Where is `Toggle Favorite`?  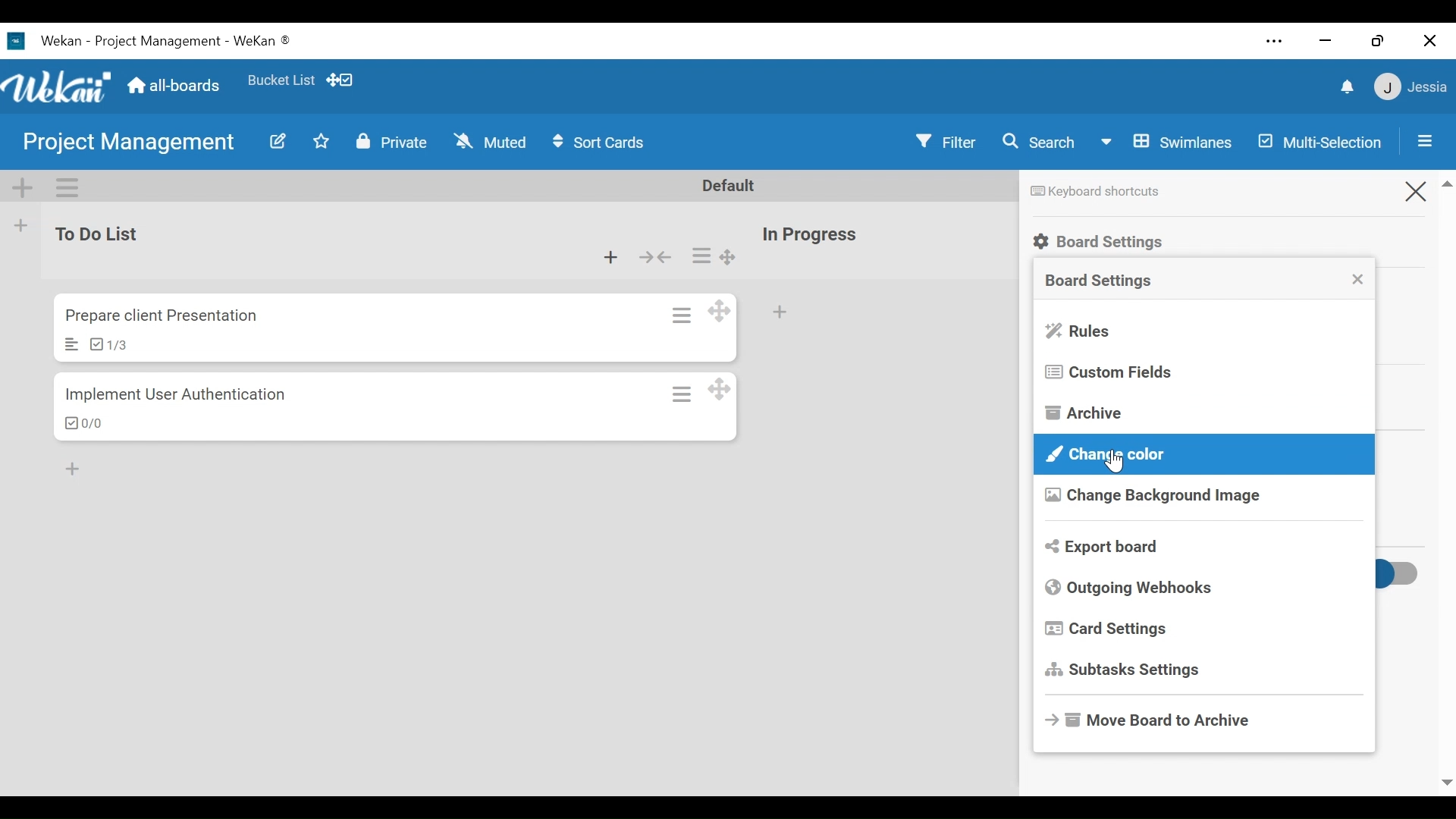
Toggle Favorite is located at coordinates (324, 141).